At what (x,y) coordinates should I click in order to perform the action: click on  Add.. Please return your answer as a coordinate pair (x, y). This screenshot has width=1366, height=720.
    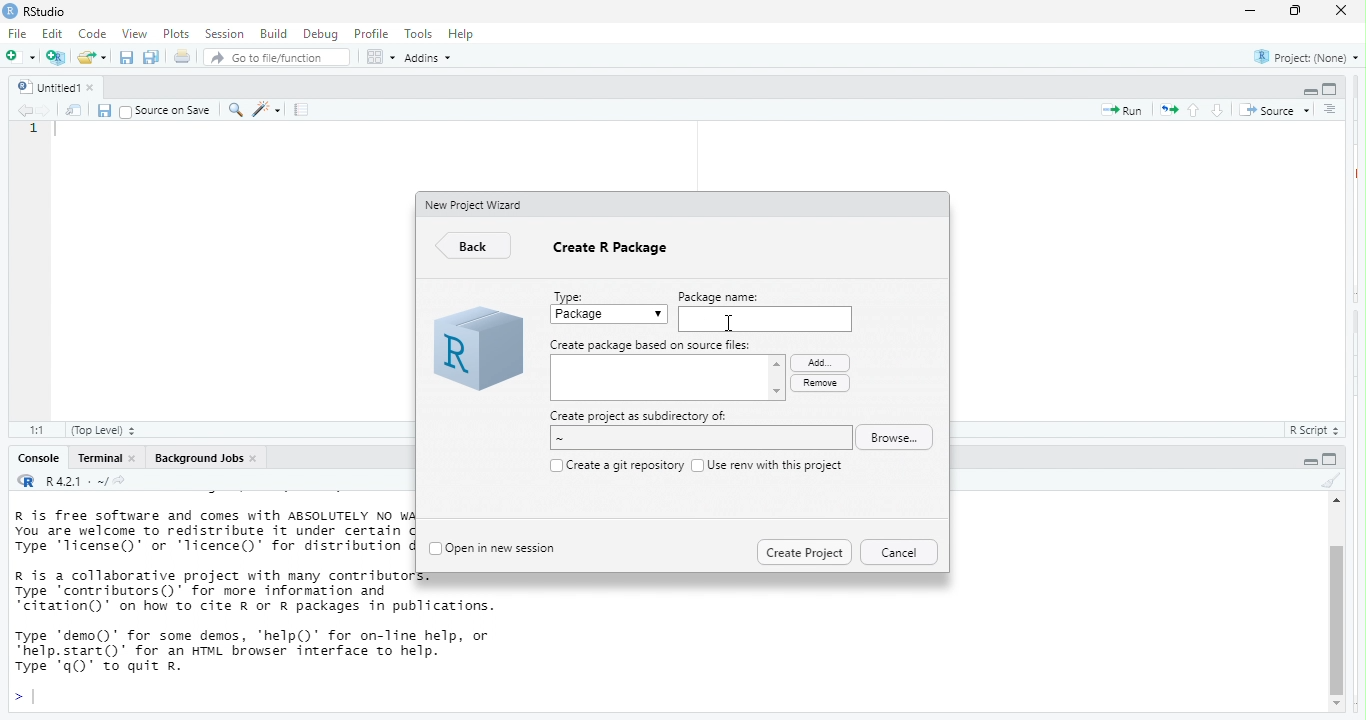
    Looking at the image, I should click on (817, 361).